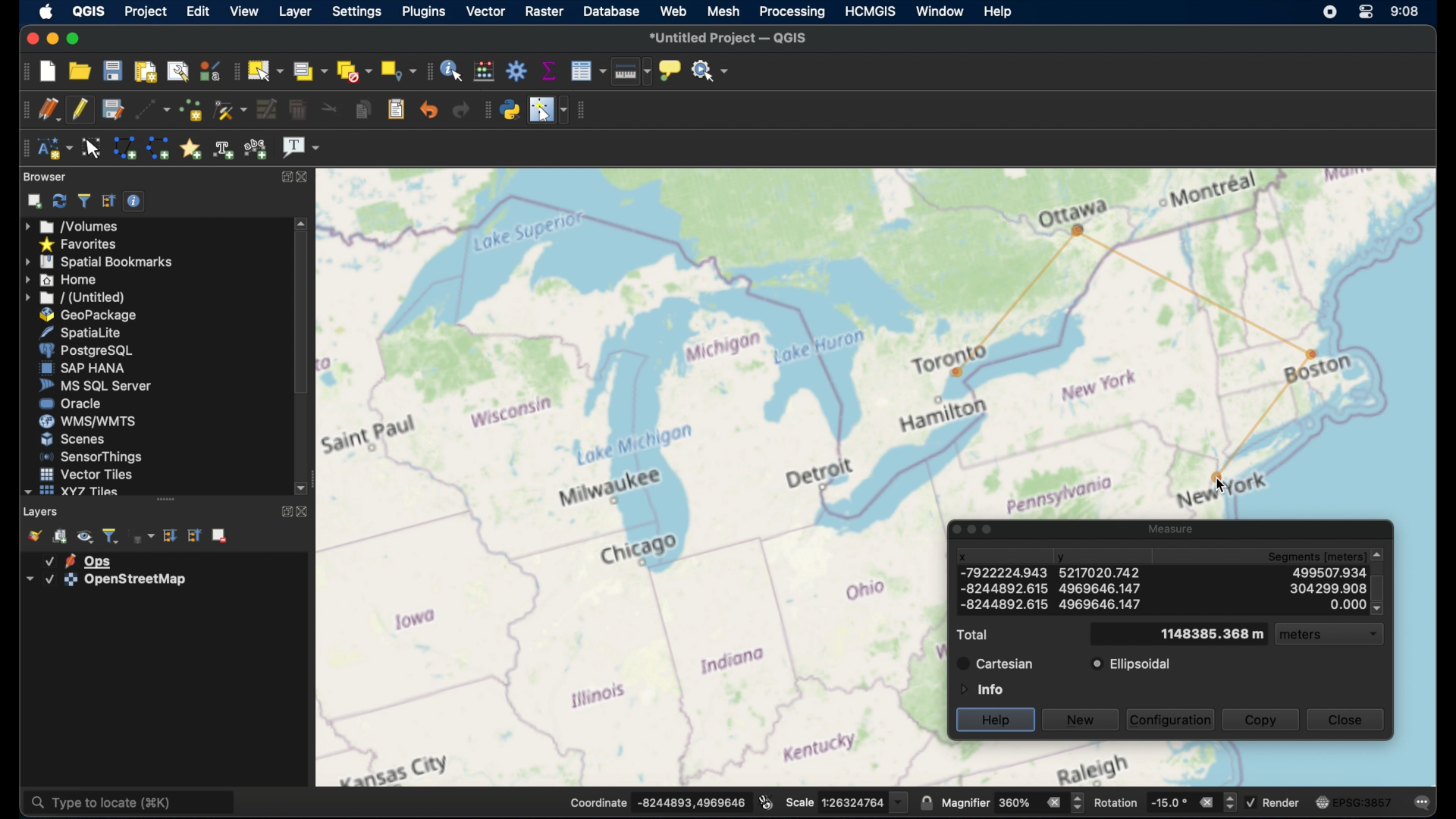 The width and height of the screenshot is (1456, 819). What do you see at coordinates (1132, 664) in the screenshot?
I see `ellipsoidal` at bounding box center [1132, 664].